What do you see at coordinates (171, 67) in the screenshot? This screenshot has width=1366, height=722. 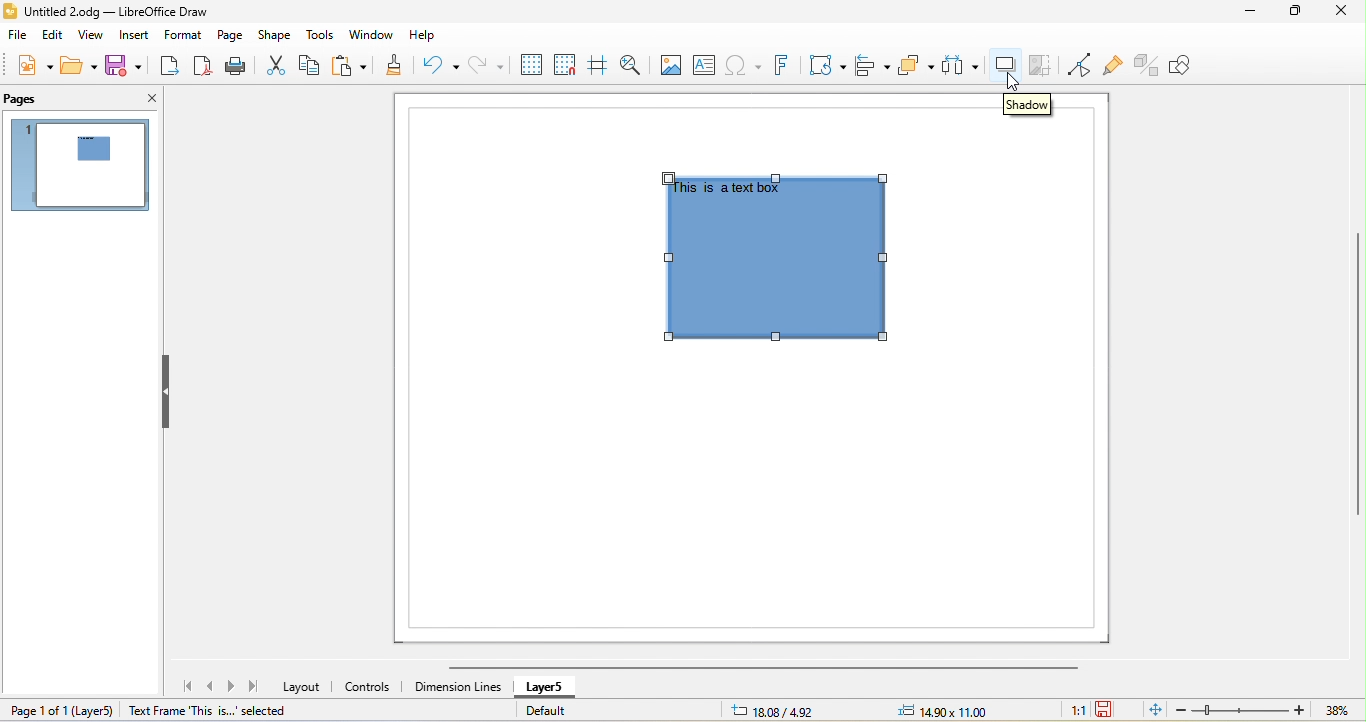 I see `export` at bounding box center [171, 67].